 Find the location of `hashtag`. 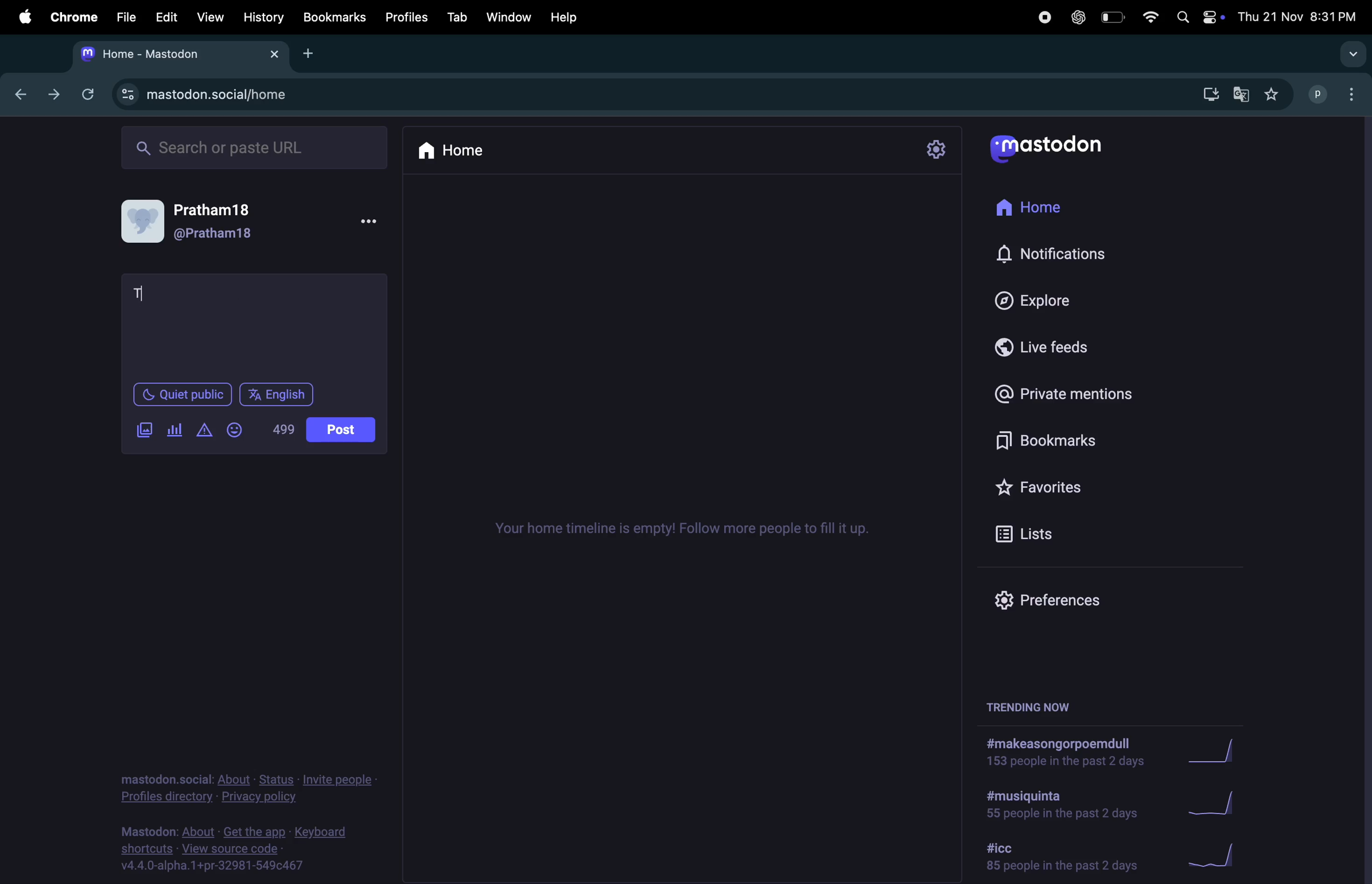

hashtag is located at coordinates (1058, 807).